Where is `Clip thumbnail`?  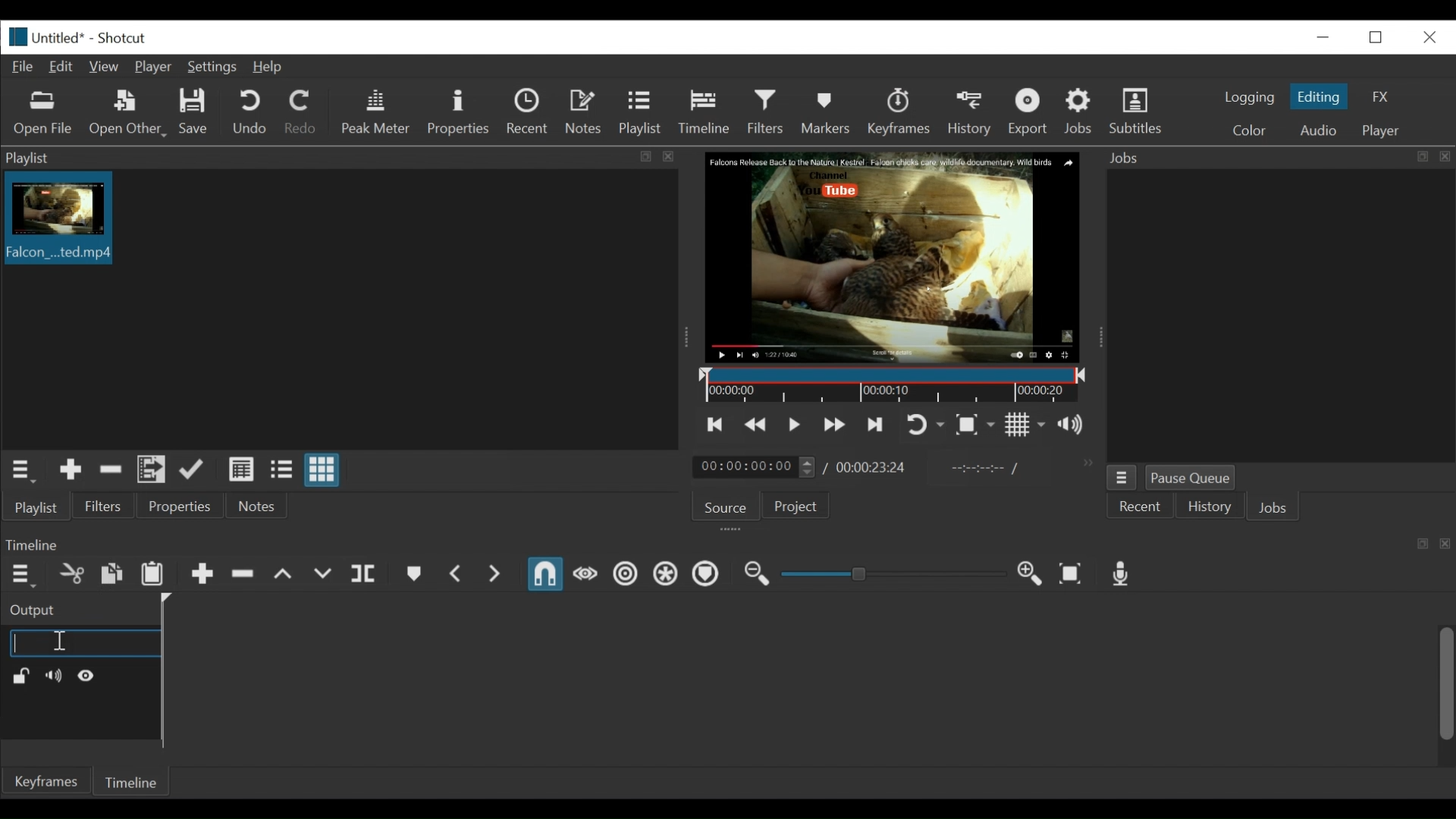
Clip thumbnail is located at coordinates (337, 309).